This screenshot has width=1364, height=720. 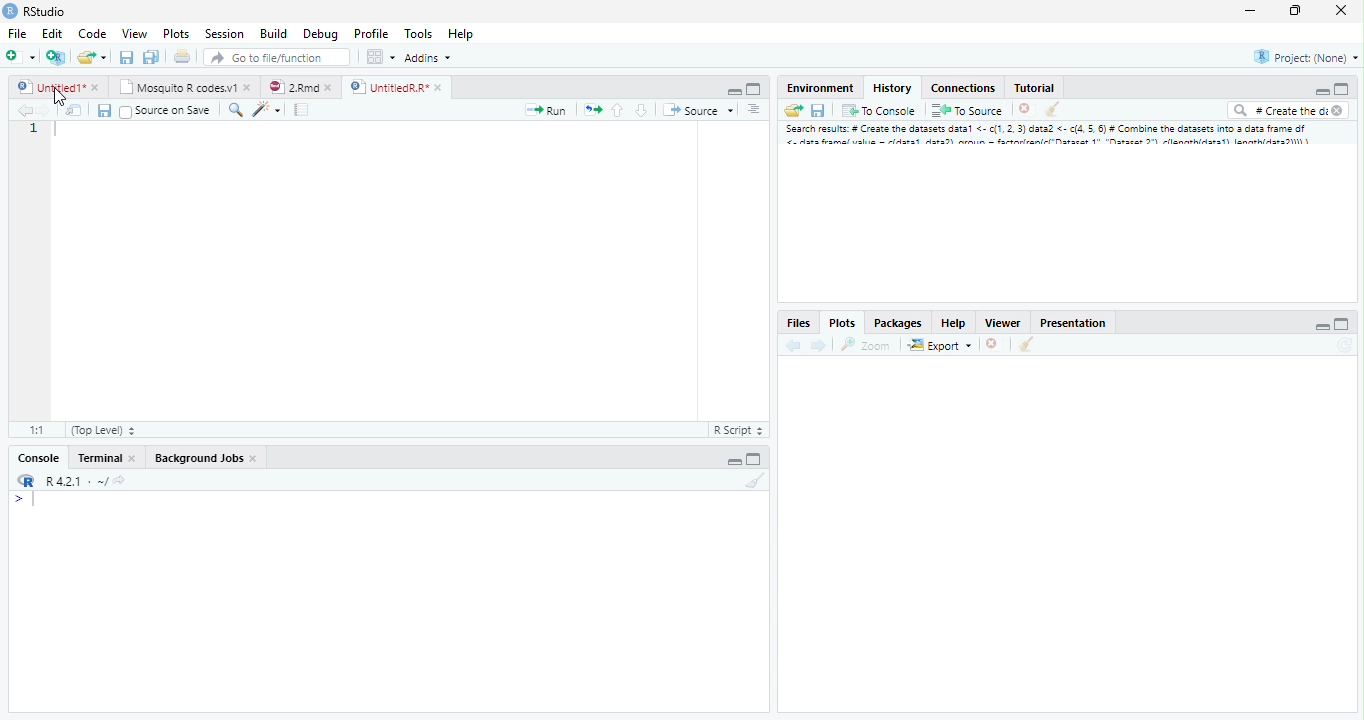 I want to click on View, so click(x=133, y=35).